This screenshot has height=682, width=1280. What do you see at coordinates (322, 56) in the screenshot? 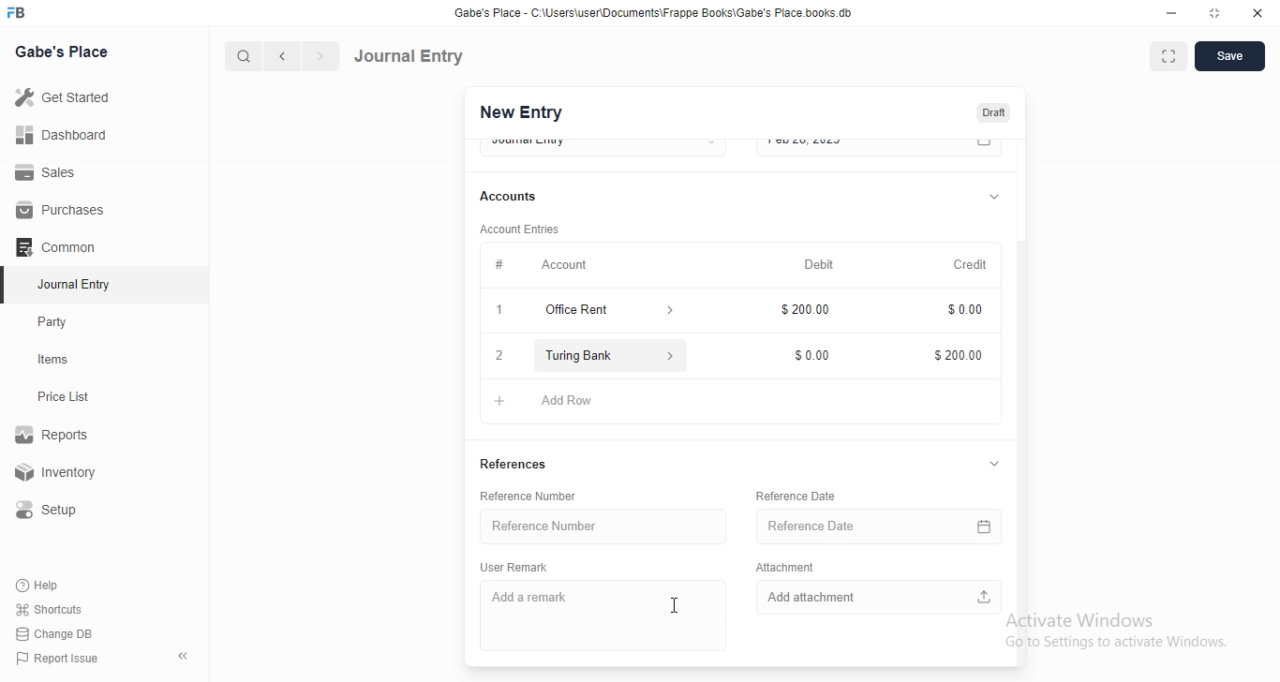
I see `forward` at bounding box center [322, 56].